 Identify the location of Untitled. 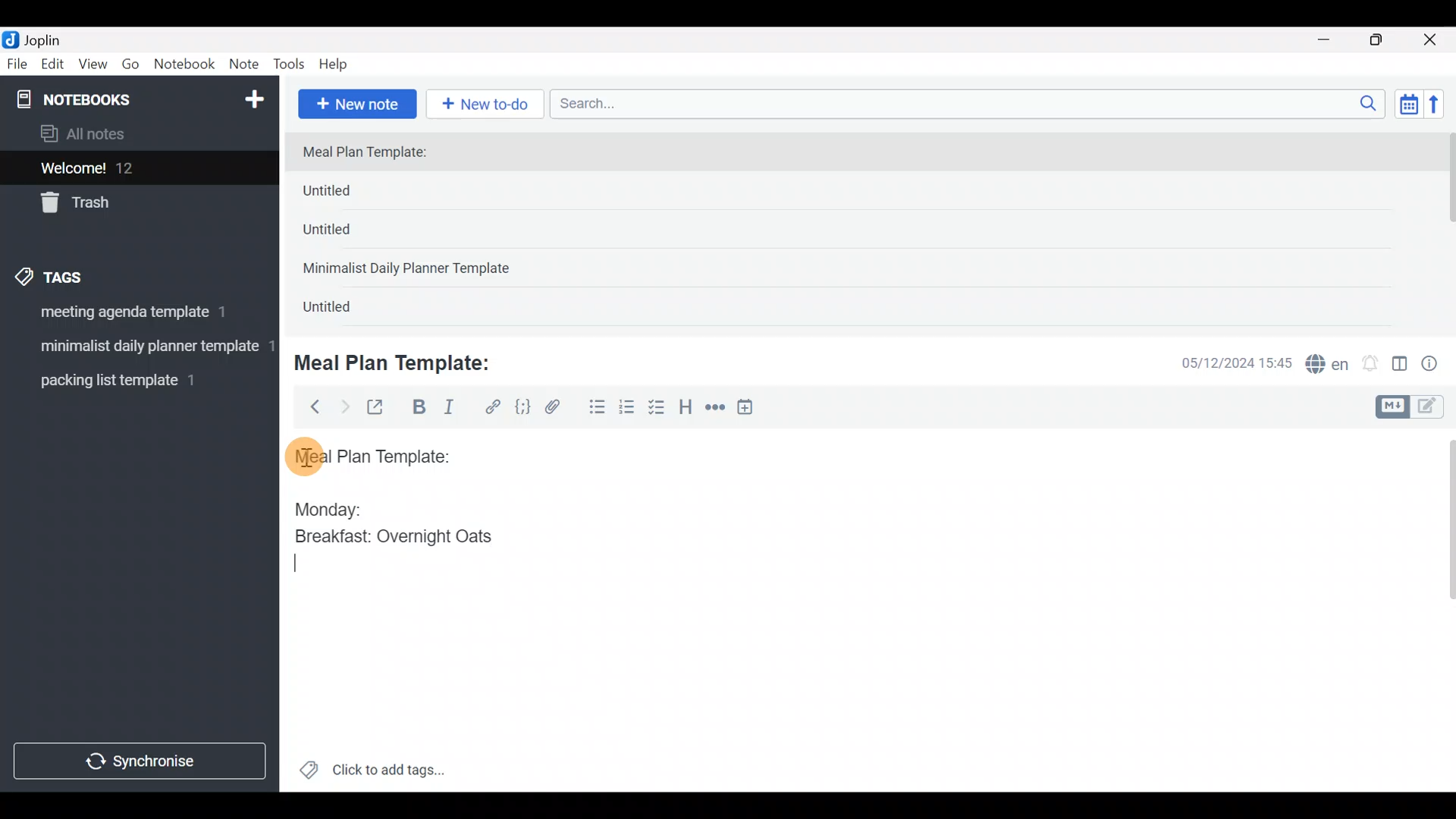
(352, 194).